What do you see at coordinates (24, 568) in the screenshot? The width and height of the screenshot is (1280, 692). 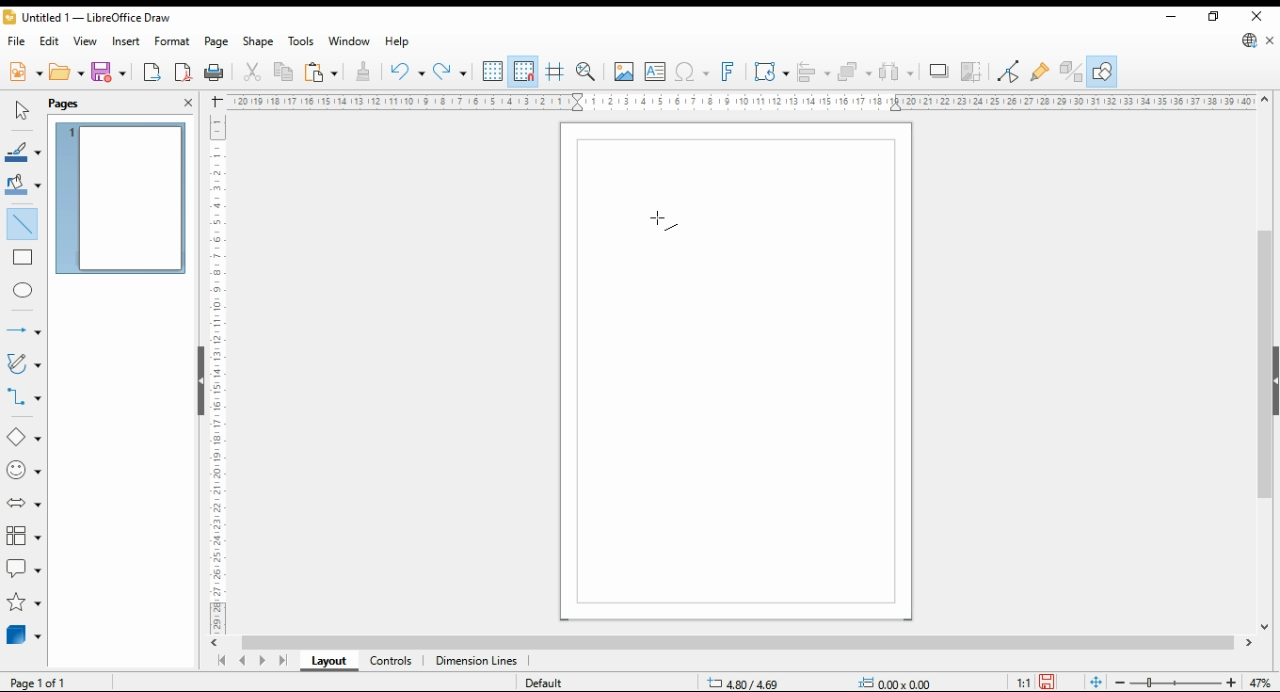 I see `callout shapes` at bounding box center [24, 568].